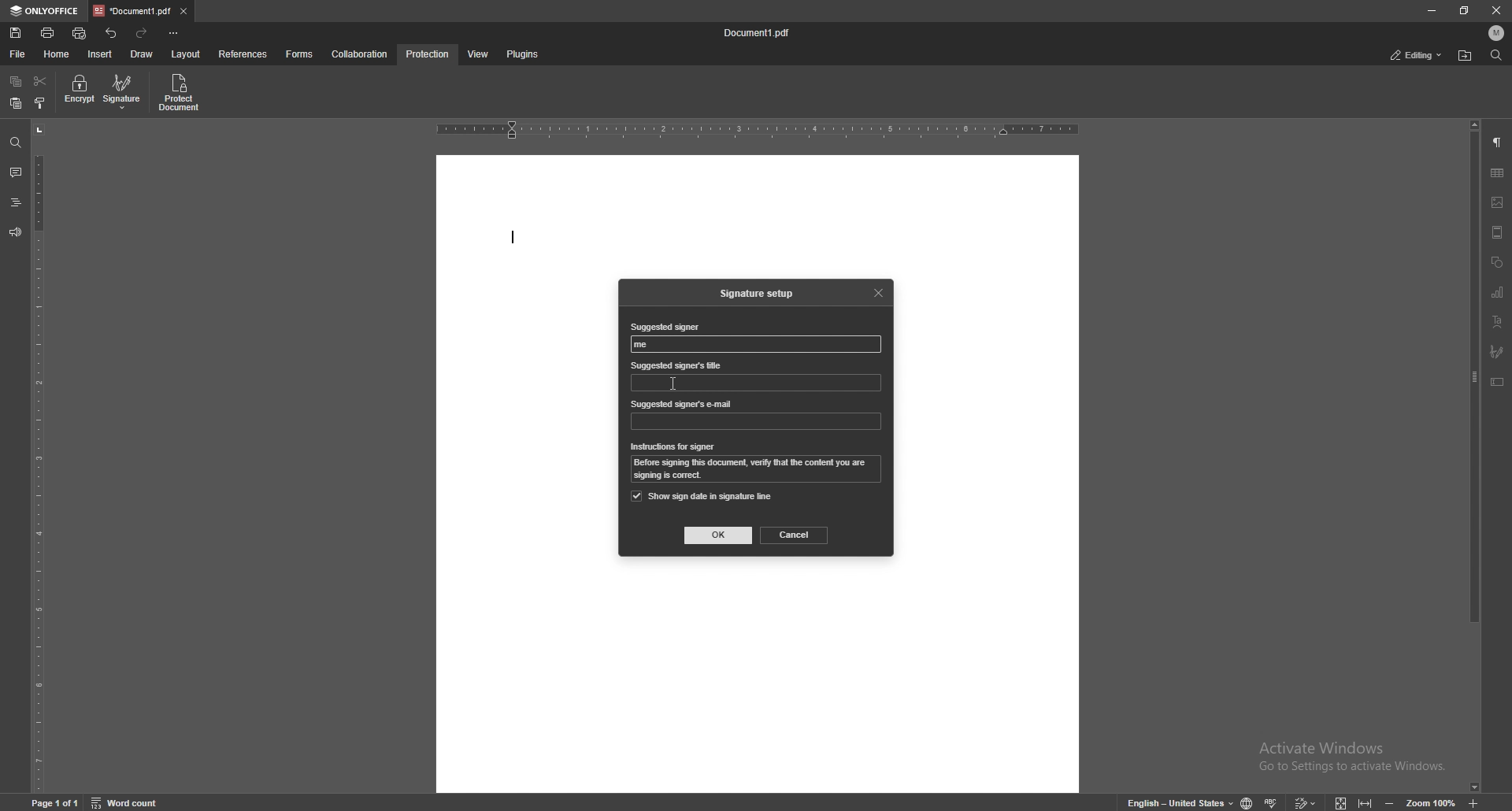 Image resolution: width=1512 pixels, height=811 pixels. What do you see at coordinates (301, 54) in the screenshot?
I see `forms` at bounding box center [301, 54].